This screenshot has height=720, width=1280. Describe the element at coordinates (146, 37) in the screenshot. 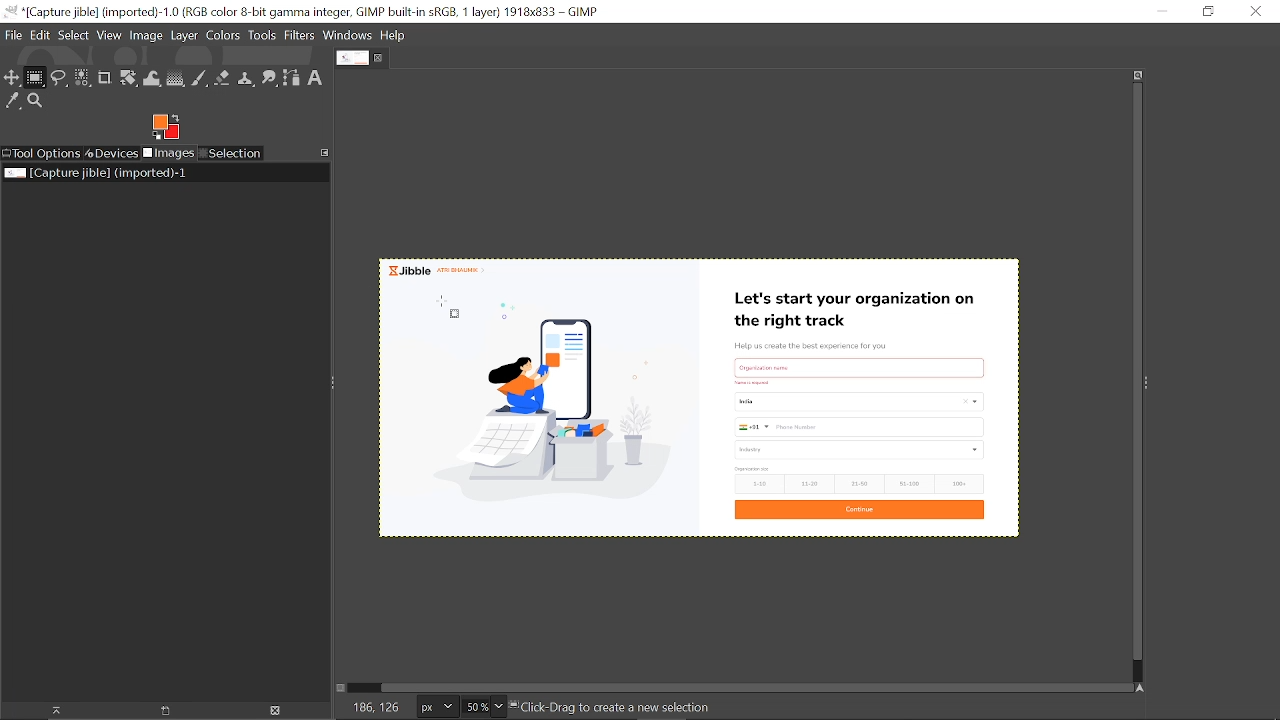

I see `Image` at that location.